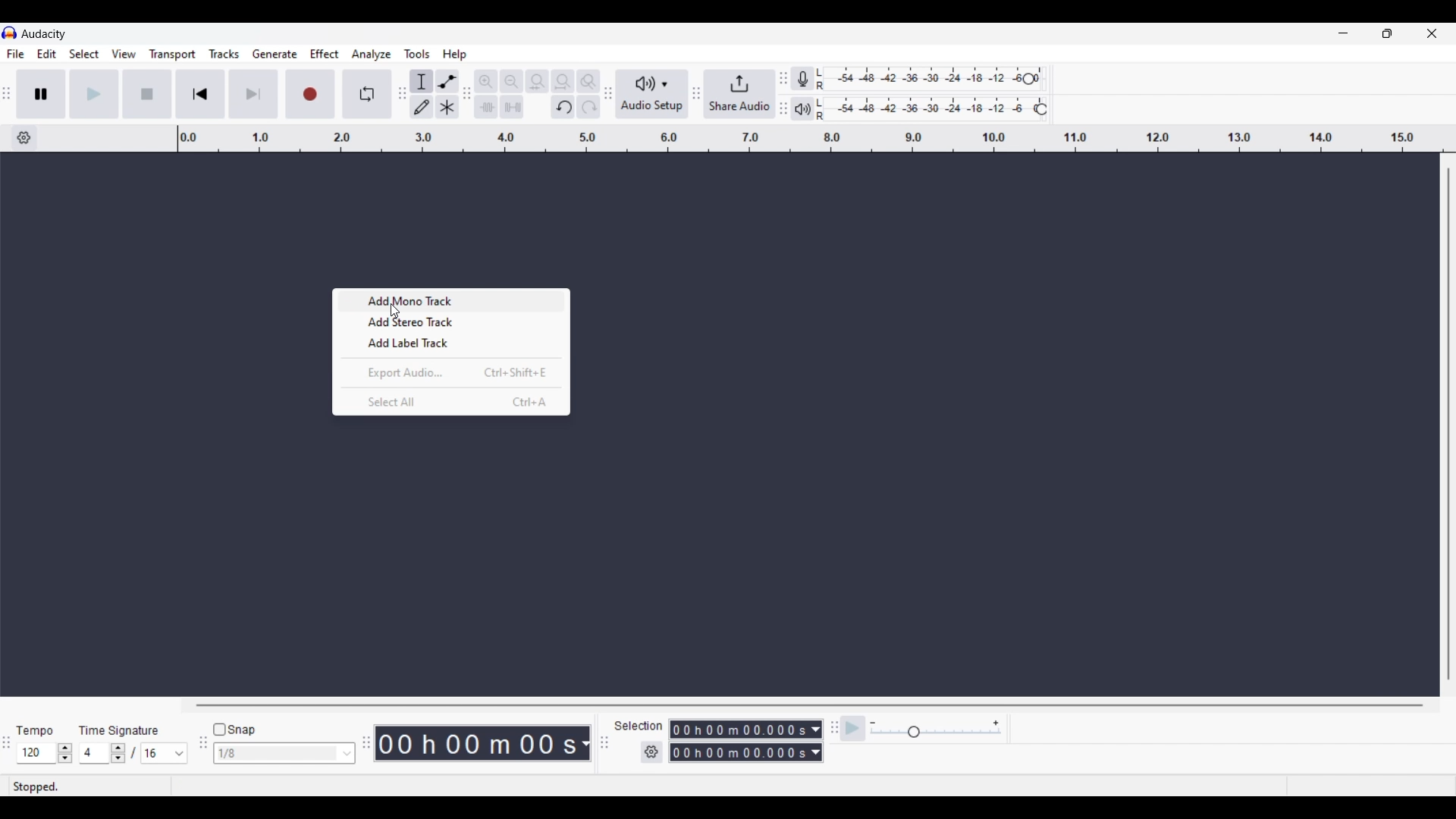 This screenshot has height=819, width=1456. What do you see at coordinates (24, 138) in the screenshot?
I see `Timeline options` at bounding box center [24, 138].